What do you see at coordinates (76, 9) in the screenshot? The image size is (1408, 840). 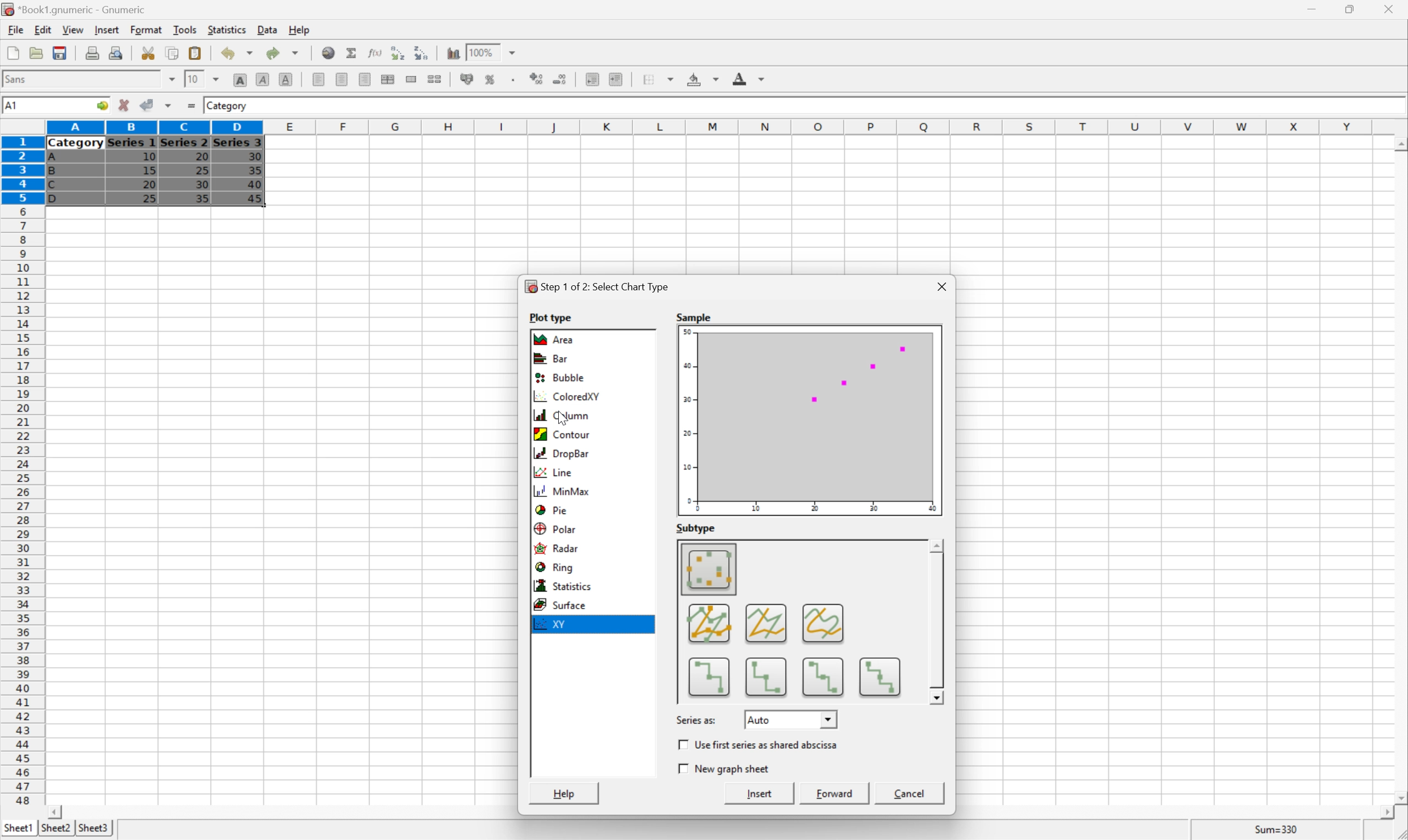 I see `*Book1.gnumeric - Gnumeric` at bounding box center [76, 9].